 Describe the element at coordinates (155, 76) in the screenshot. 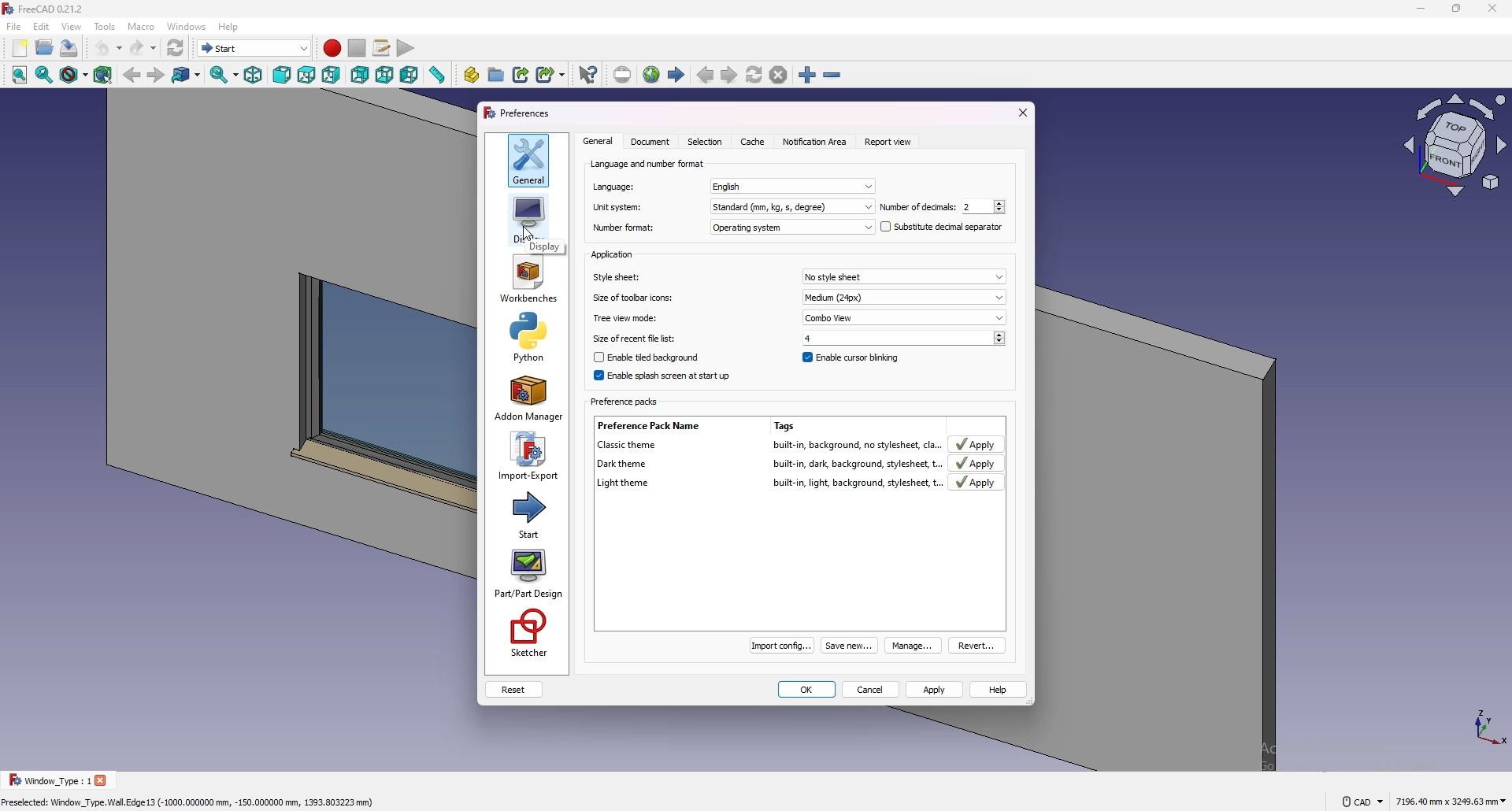

I see `forward` at that location.